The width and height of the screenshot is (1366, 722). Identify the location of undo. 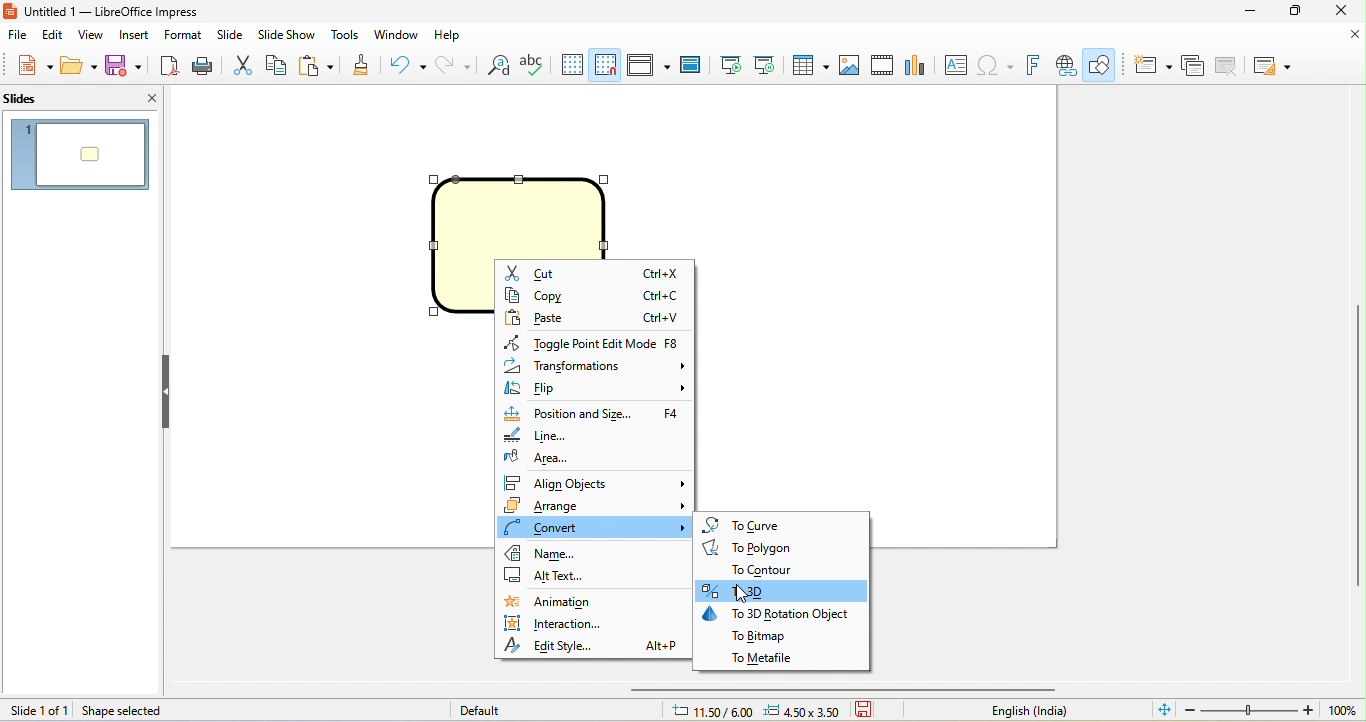
(404, 64).